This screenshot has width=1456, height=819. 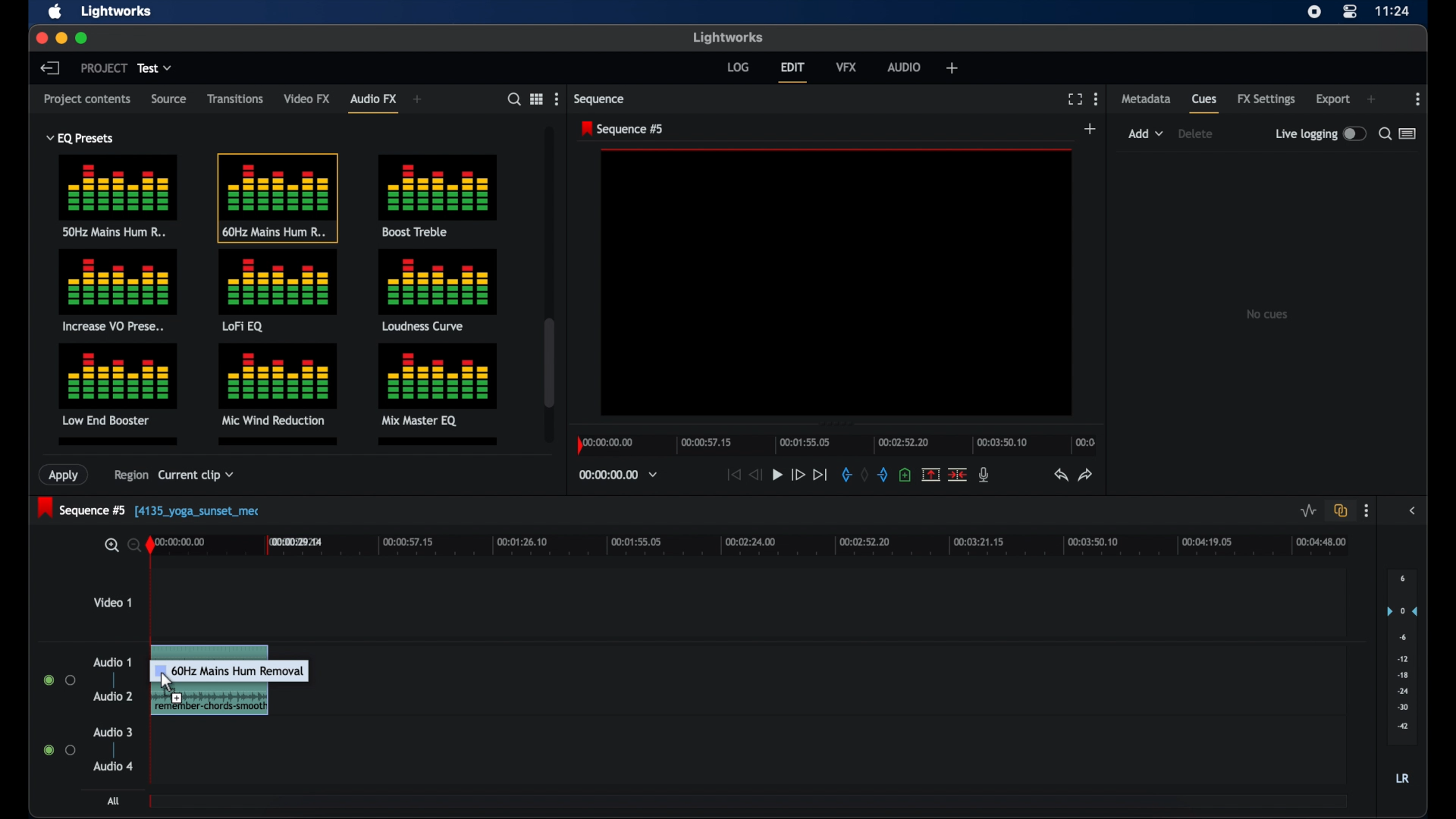 I want to click on play, so click(x=777, y=475).